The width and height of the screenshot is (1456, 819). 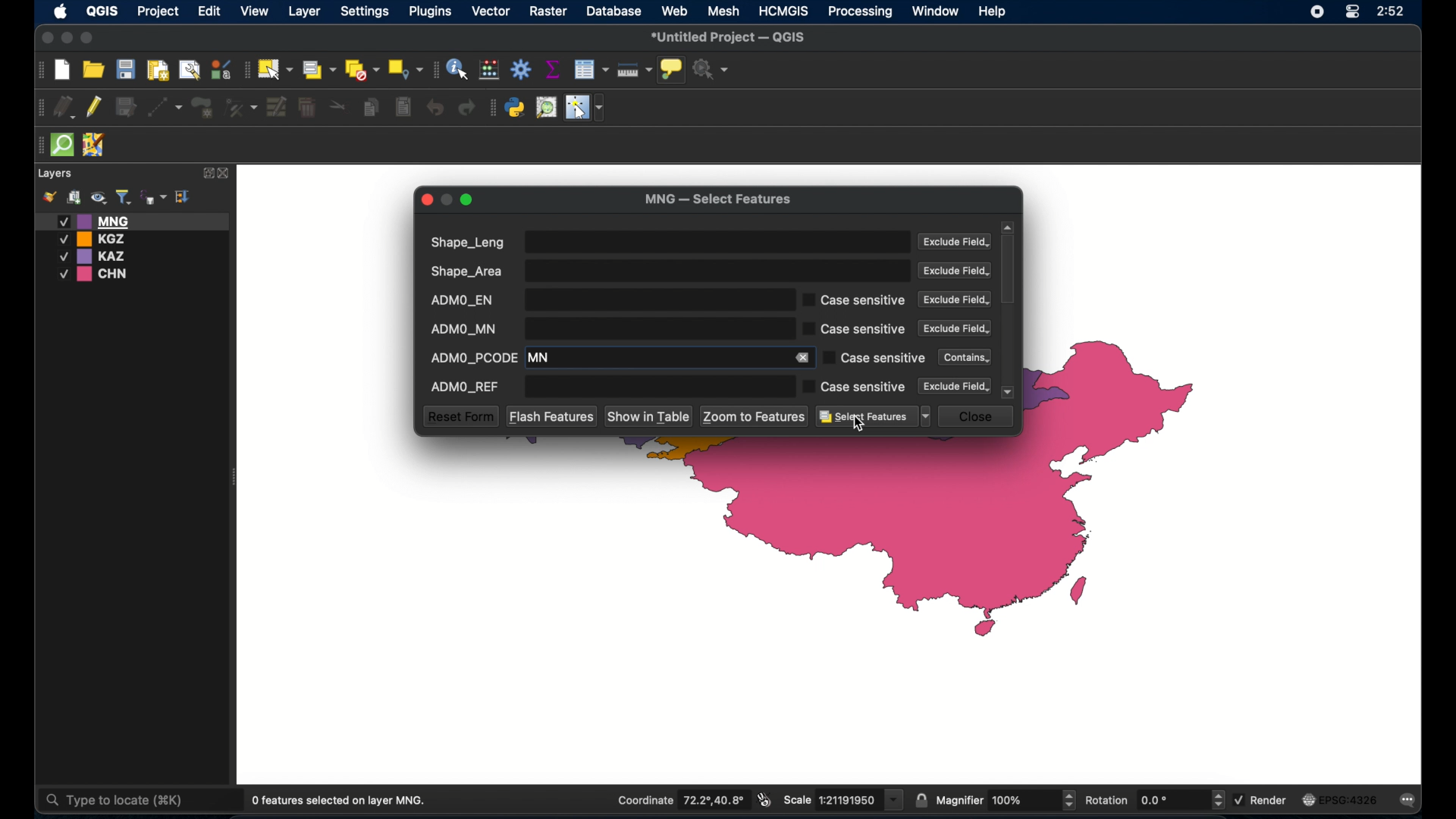 What do you see at coordinates (855, 387) in the screenshot?
I see `case sensitive` at bounding box center [855, 387].